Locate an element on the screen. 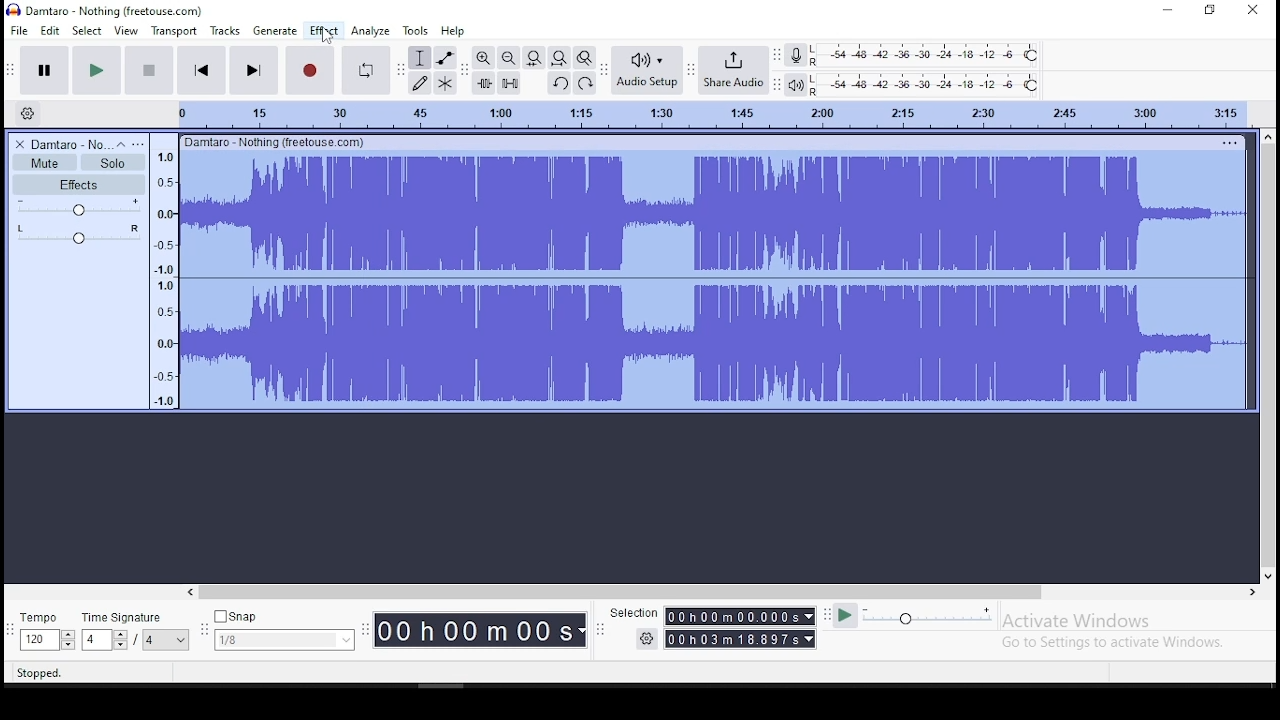 The image size is (1280, 720).  is located at coordinates (690, 70).